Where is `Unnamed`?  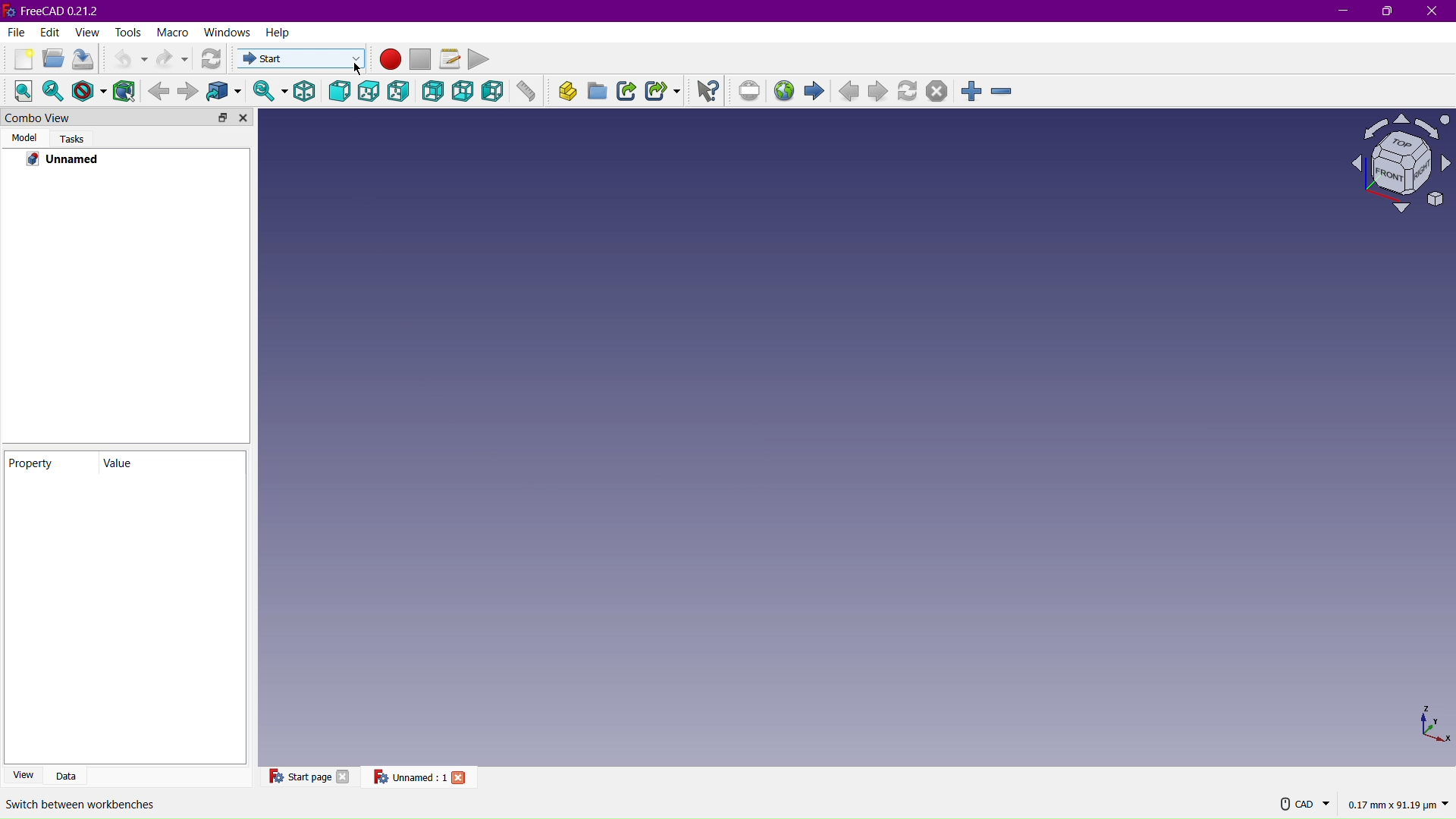 Unnamed is located at coordinates (64, 160).